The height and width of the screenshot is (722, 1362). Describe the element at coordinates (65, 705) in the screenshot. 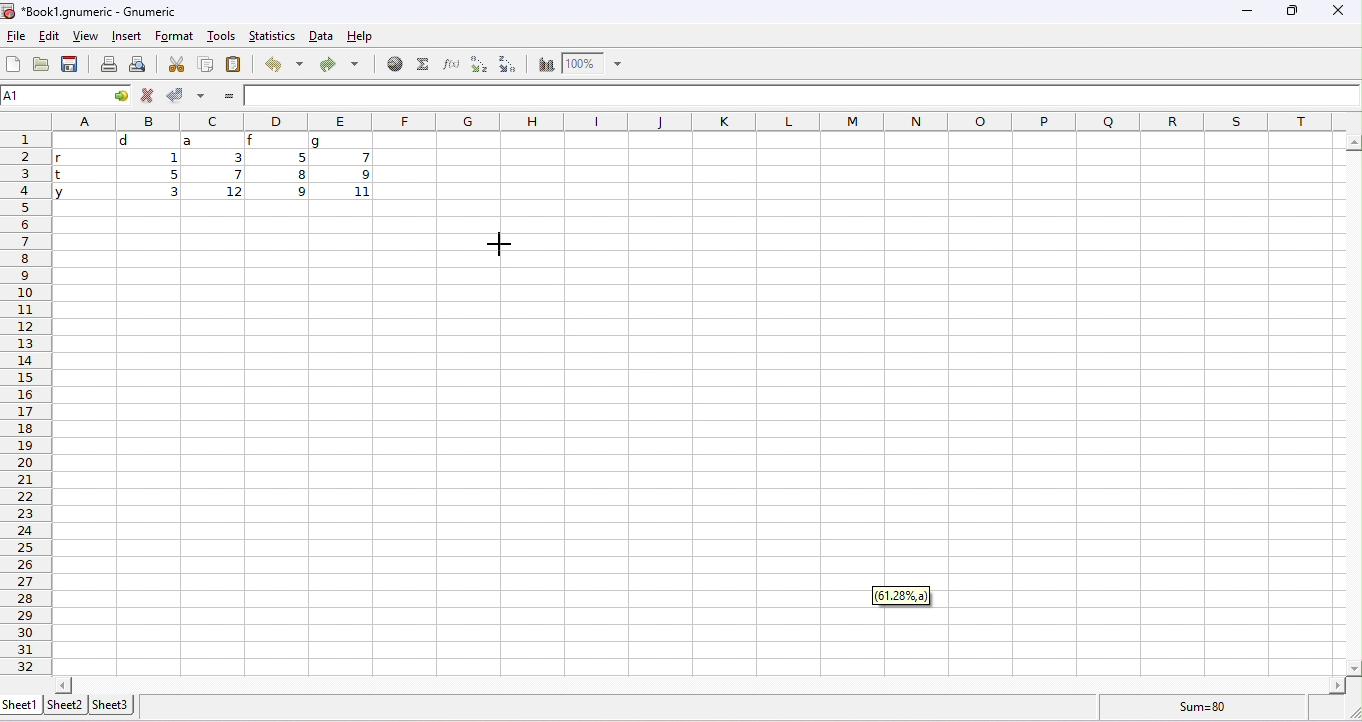

I see `sheet2` at that location.